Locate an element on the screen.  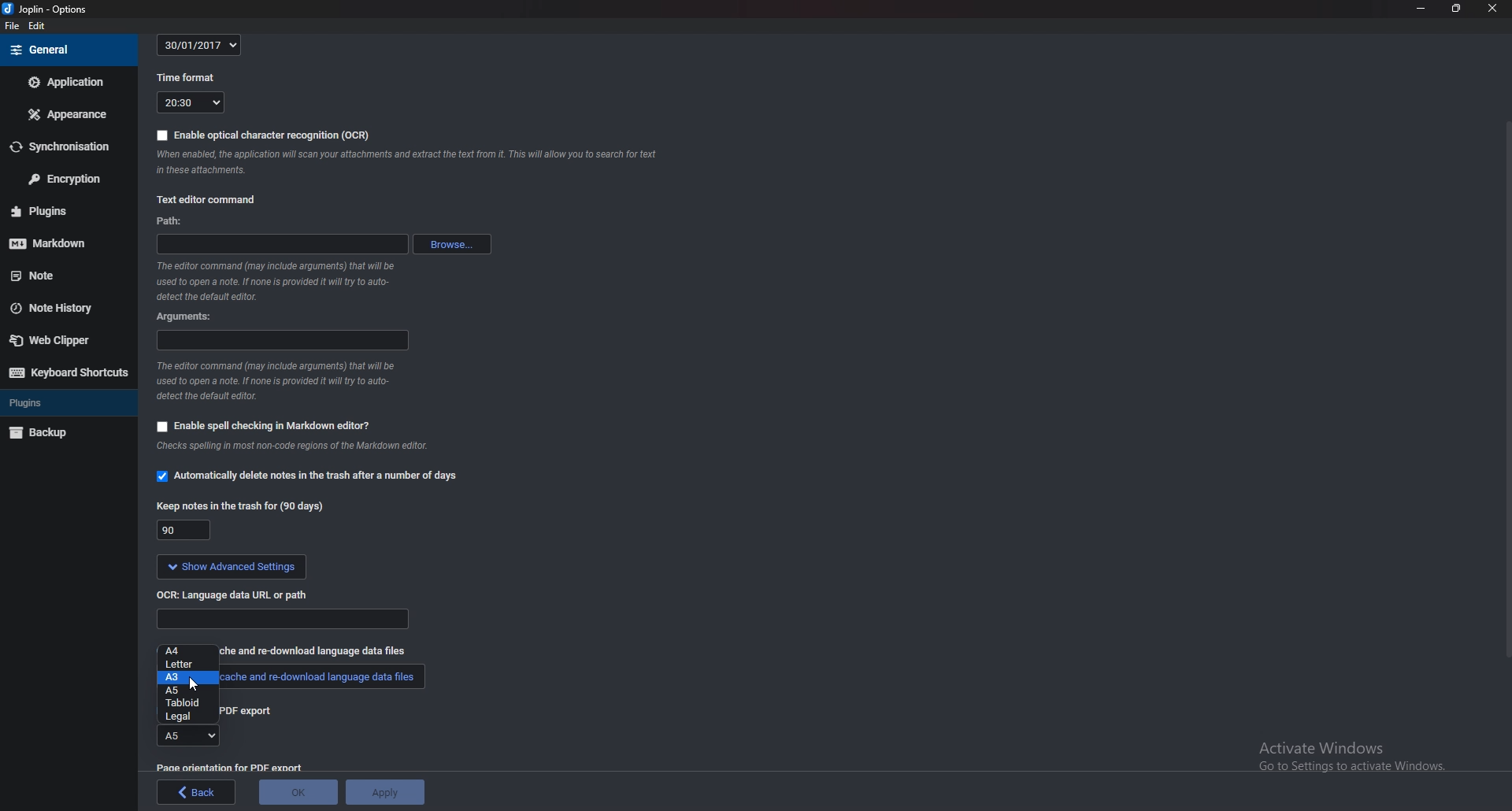
Resize is located at coordinates (1456, 9).